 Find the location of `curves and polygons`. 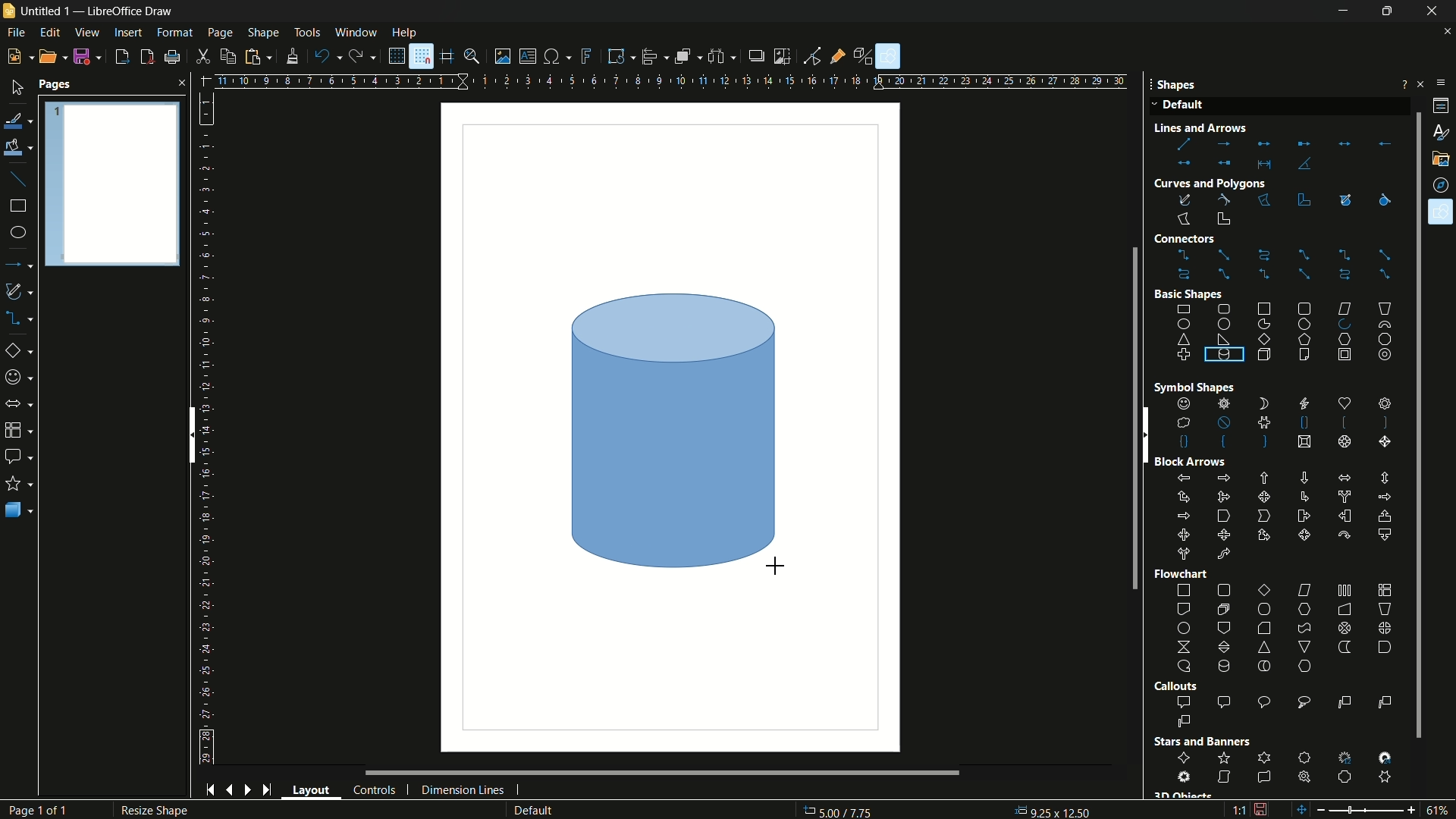

curves and polygons is located at coordinates (21, 292).